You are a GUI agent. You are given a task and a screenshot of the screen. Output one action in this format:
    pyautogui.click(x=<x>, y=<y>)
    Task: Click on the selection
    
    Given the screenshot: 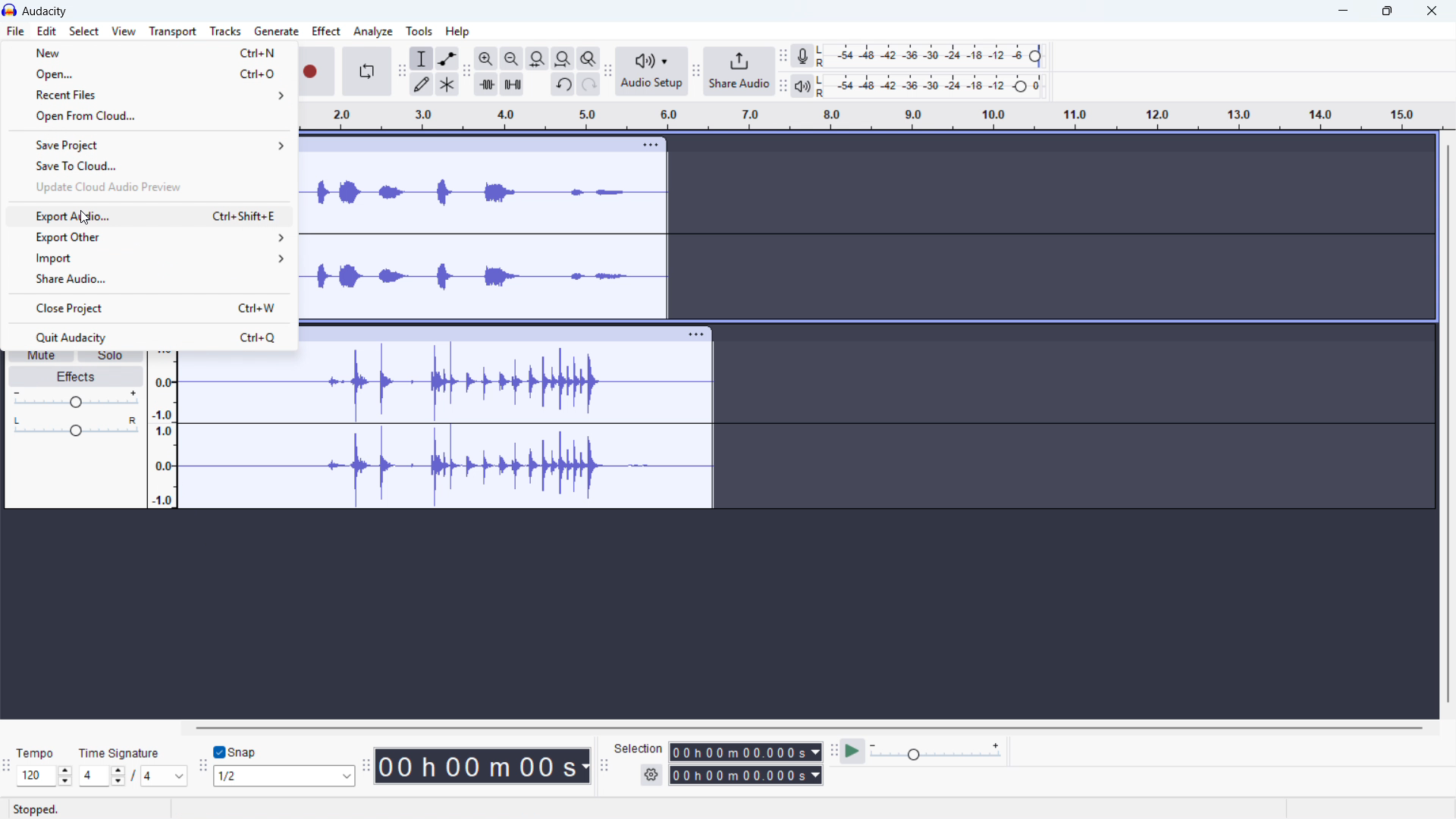 What is the action you would take?
    pyautogui.click(x=640, y=748)
    